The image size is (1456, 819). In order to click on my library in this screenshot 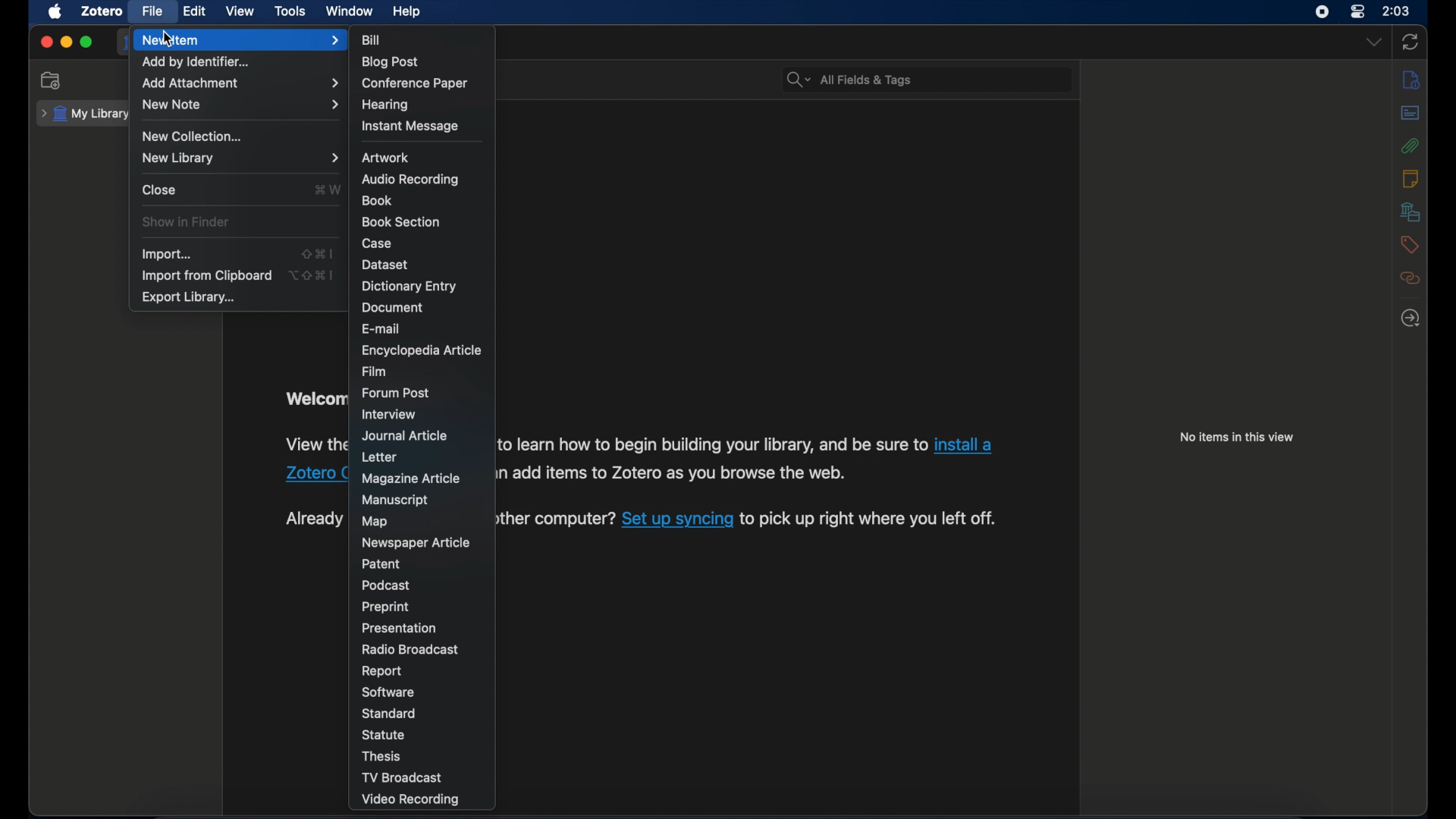, I will do `click(86, 114)`.